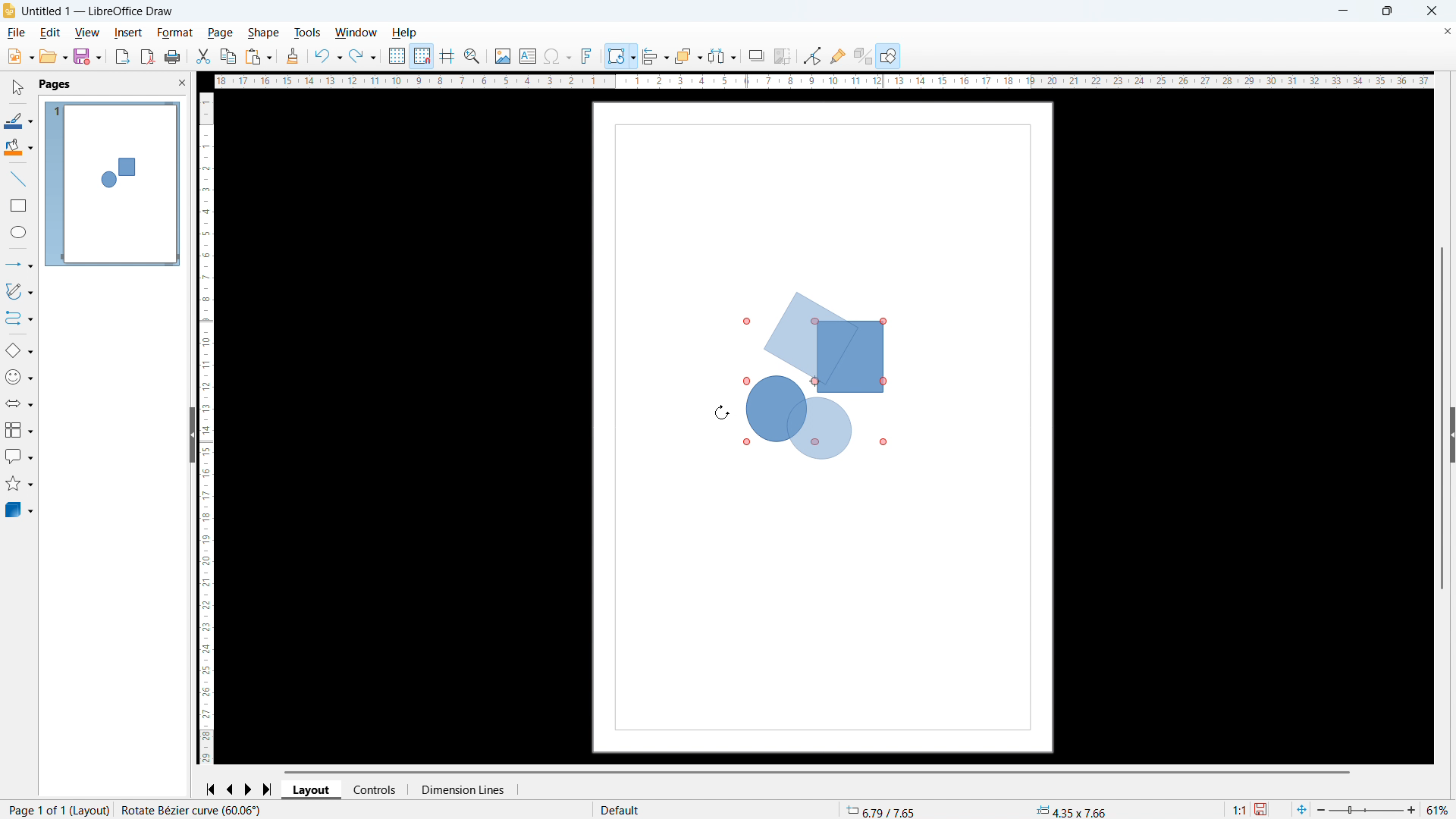  I want to click on Undo , so click(328, 55).